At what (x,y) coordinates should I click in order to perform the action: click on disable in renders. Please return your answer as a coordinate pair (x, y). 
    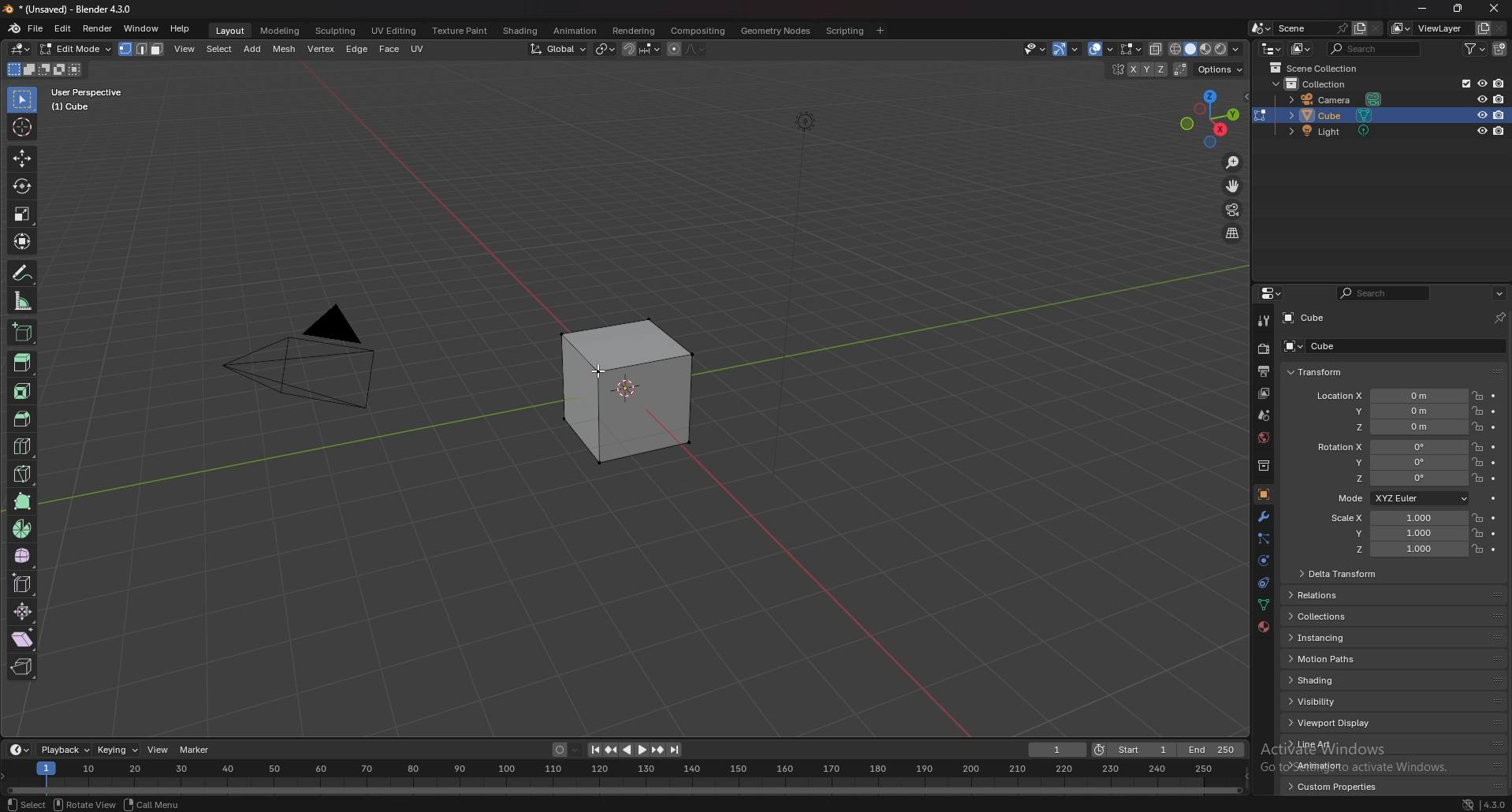
    Looking at the image, I should click on (1499, 115).